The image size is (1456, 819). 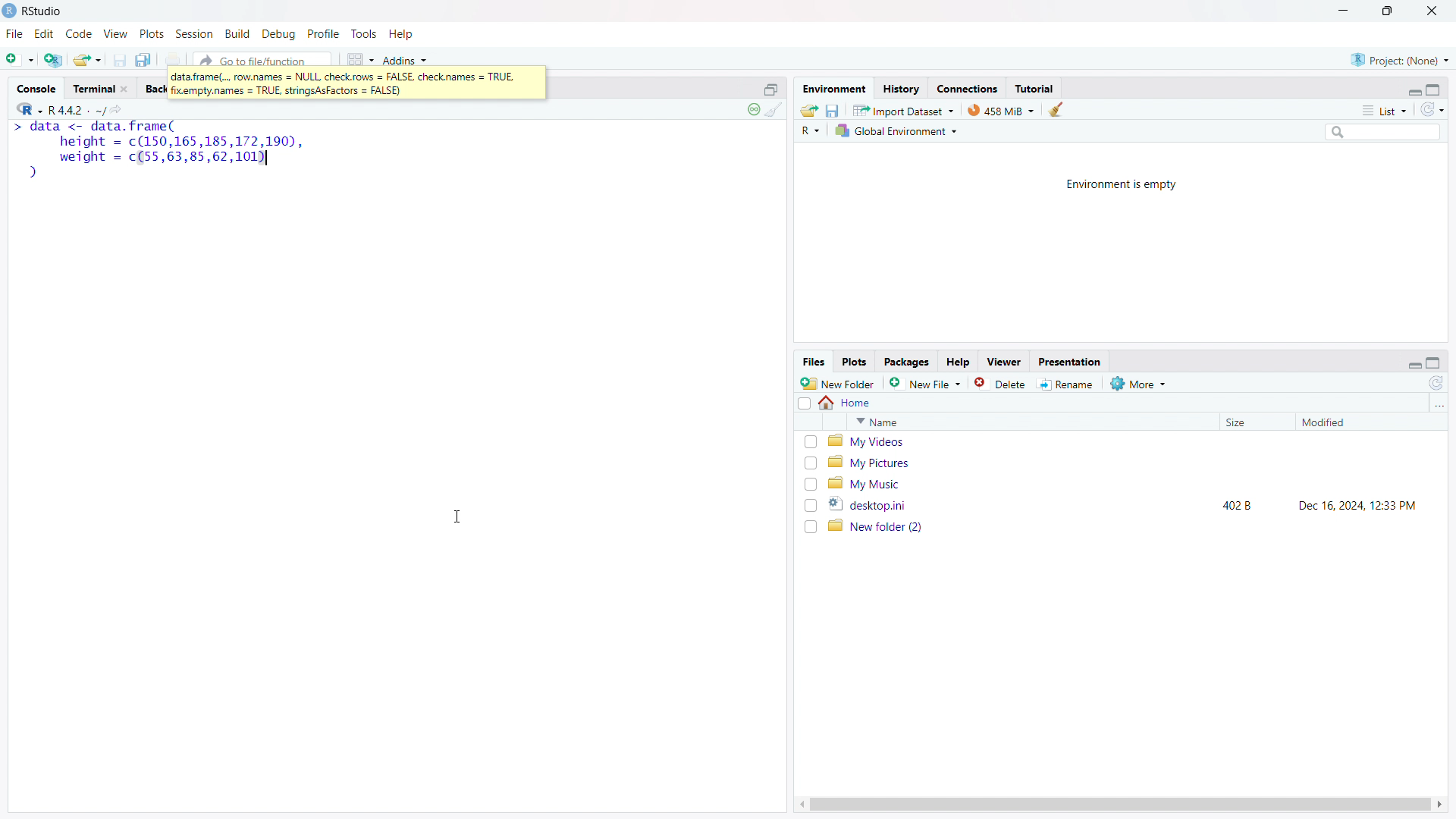 I want to click on connections, so click(x=967, y=88).